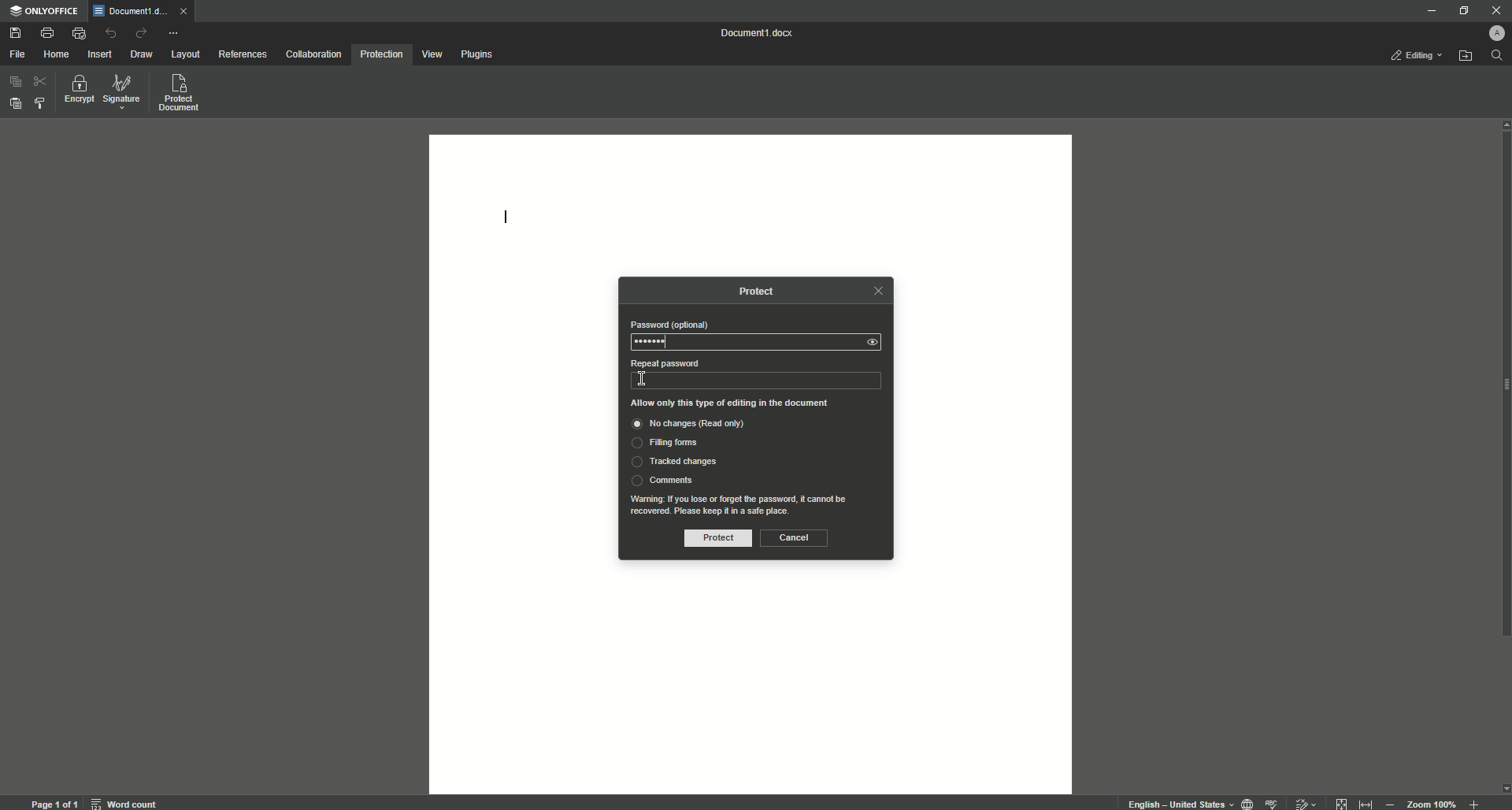  Describe the element at coordinates (13, 102) in the screenshot. I see `Paste` at that location.